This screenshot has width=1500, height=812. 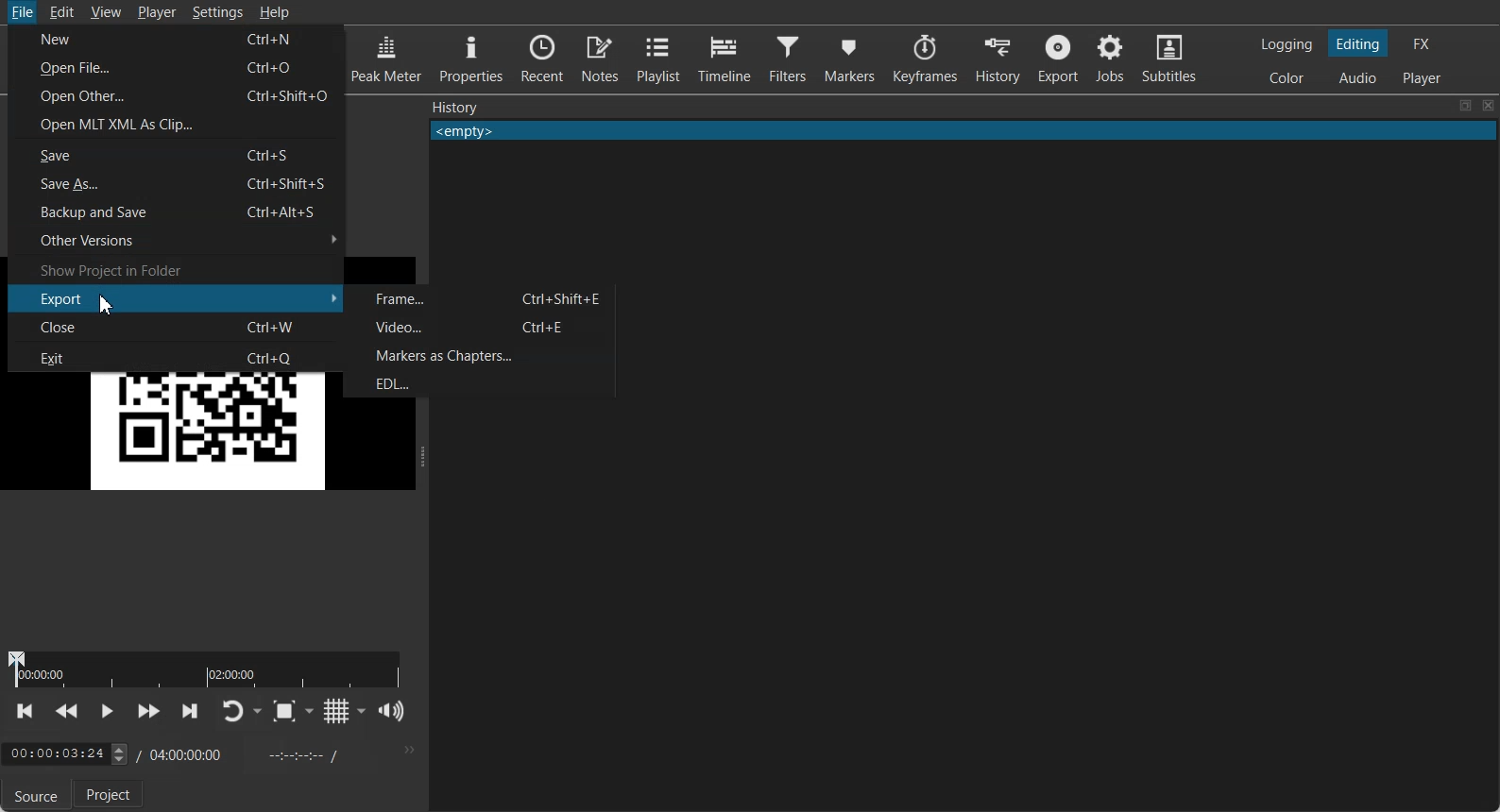 What do you see at coordinates (600, 58) in the screenshot?
I see `Notes` at bounding box center [600, 58].